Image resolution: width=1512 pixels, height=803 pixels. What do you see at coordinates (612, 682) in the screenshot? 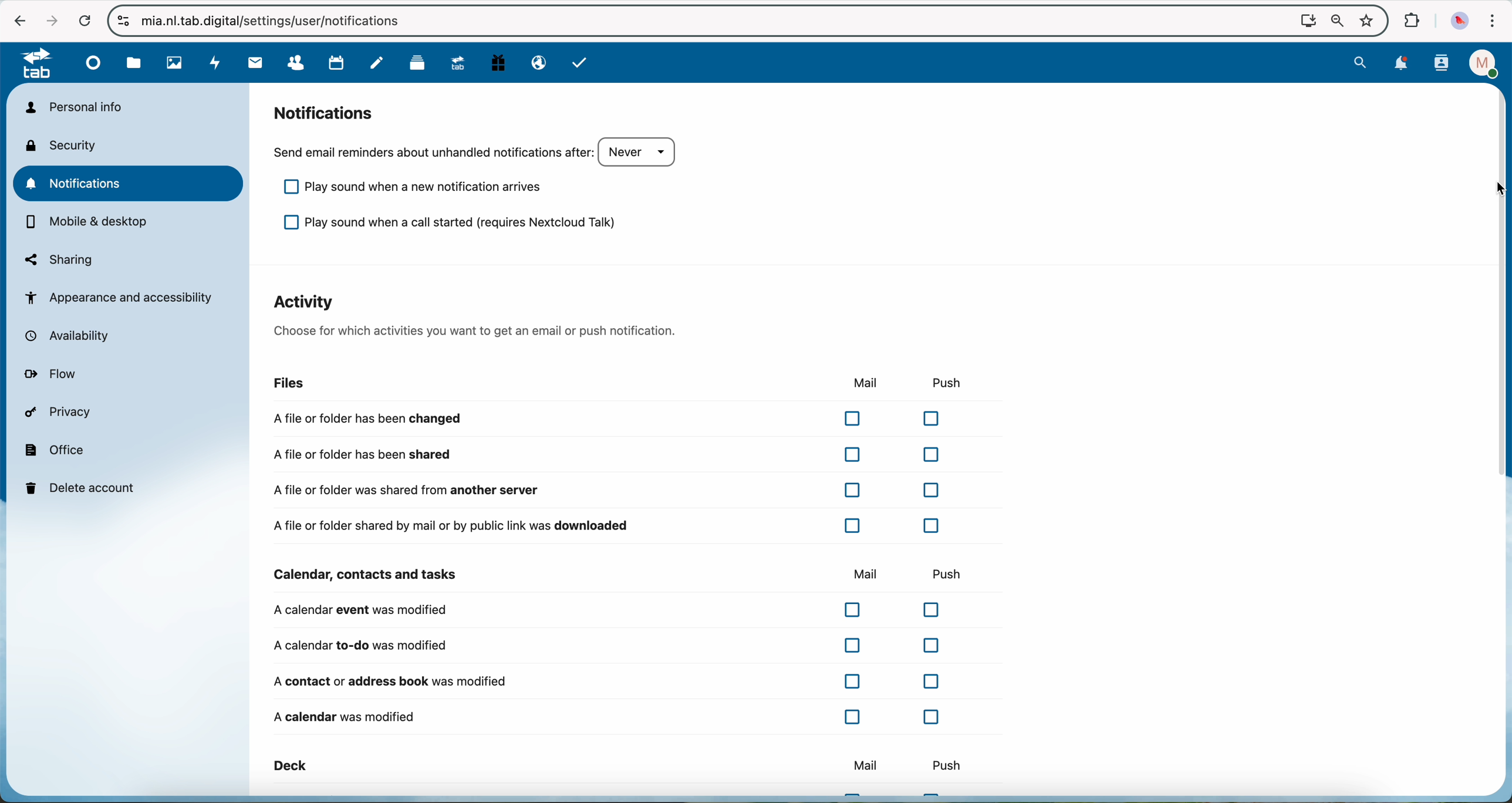
I see `a contact or address book was modifed` at bounding box center [612, 682].